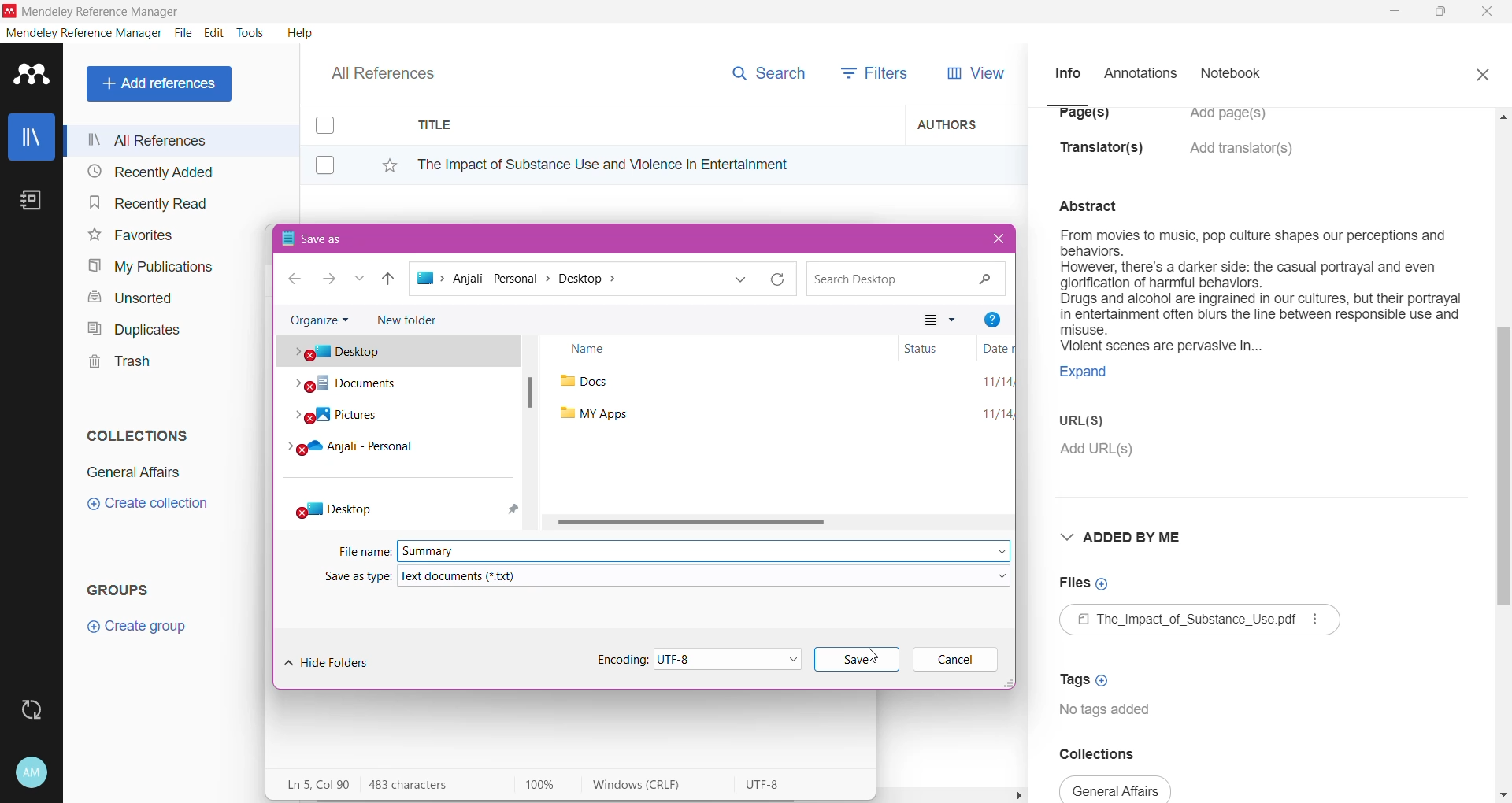 The width and height of the screenshot is (1512, 803). What do you see at coordinates (354, 387) in the screenshot?
I see `Documents` at bounding box center [354, 387].